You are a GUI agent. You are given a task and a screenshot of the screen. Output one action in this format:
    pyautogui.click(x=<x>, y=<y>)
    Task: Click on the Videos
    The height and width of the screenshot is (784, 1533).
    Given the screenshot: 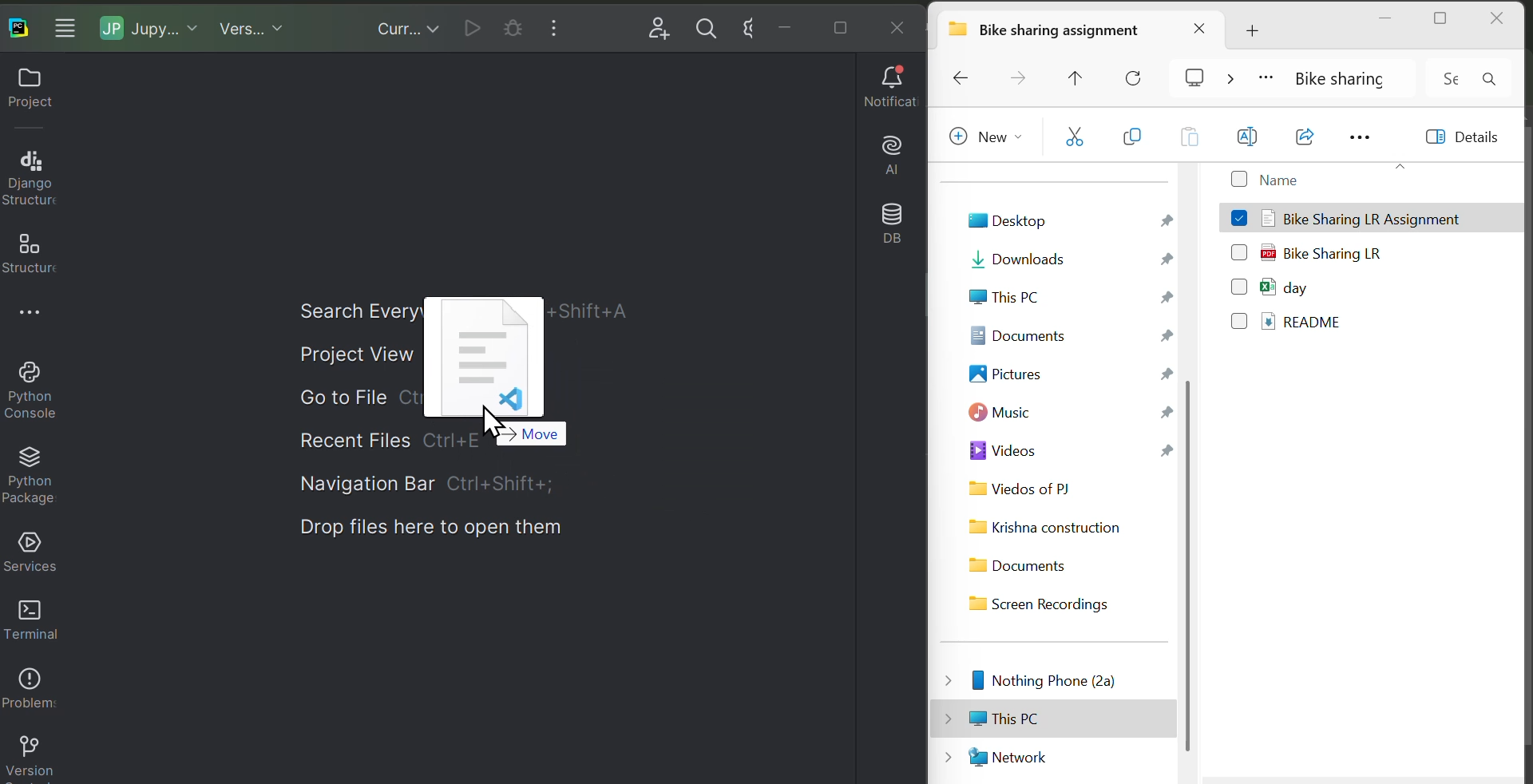 What is the action you would take?
    pyautogui.click(x=1068, y=451)
    